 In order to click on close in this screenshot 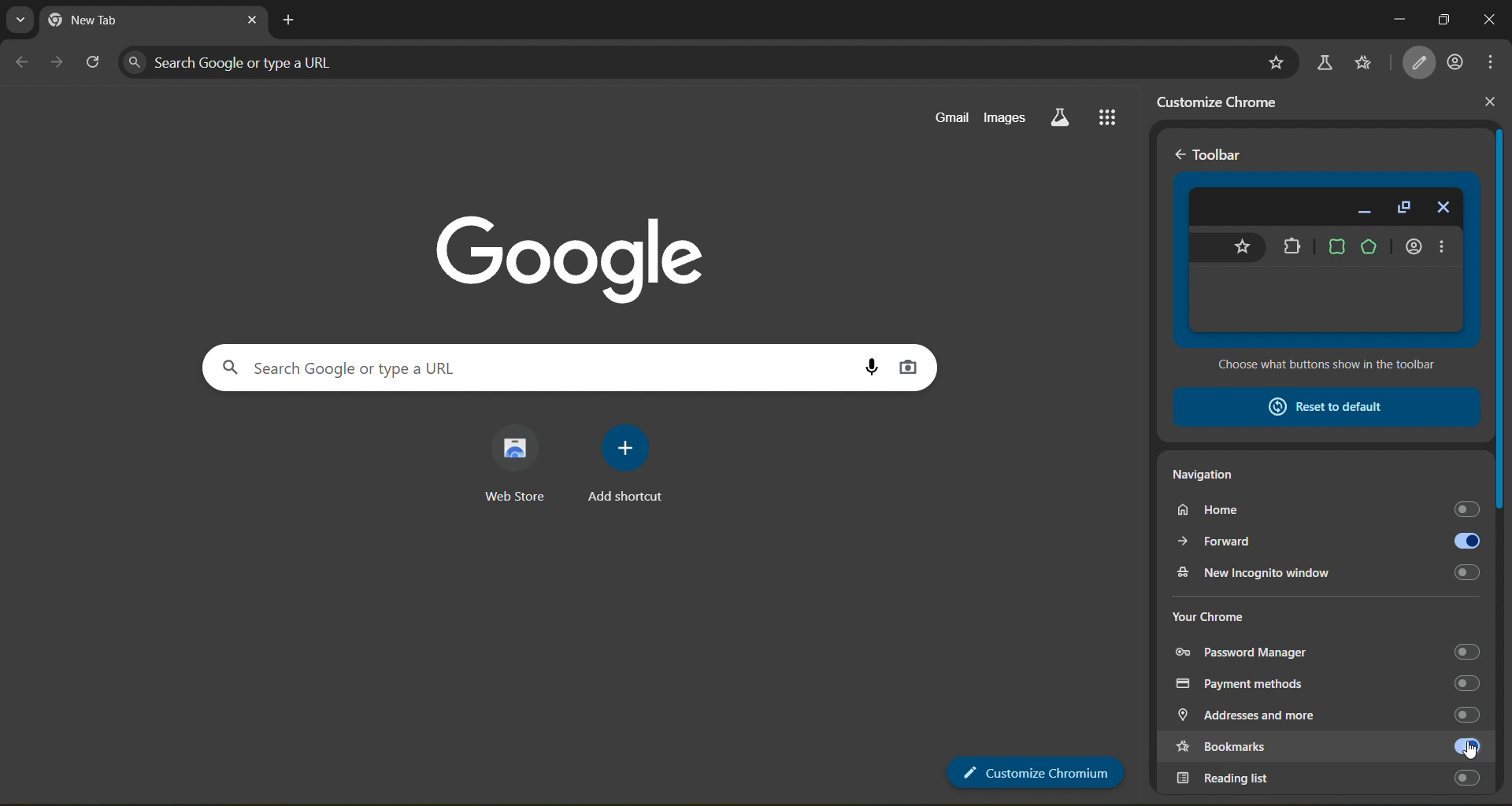, I will do `click(2971, 189)`.